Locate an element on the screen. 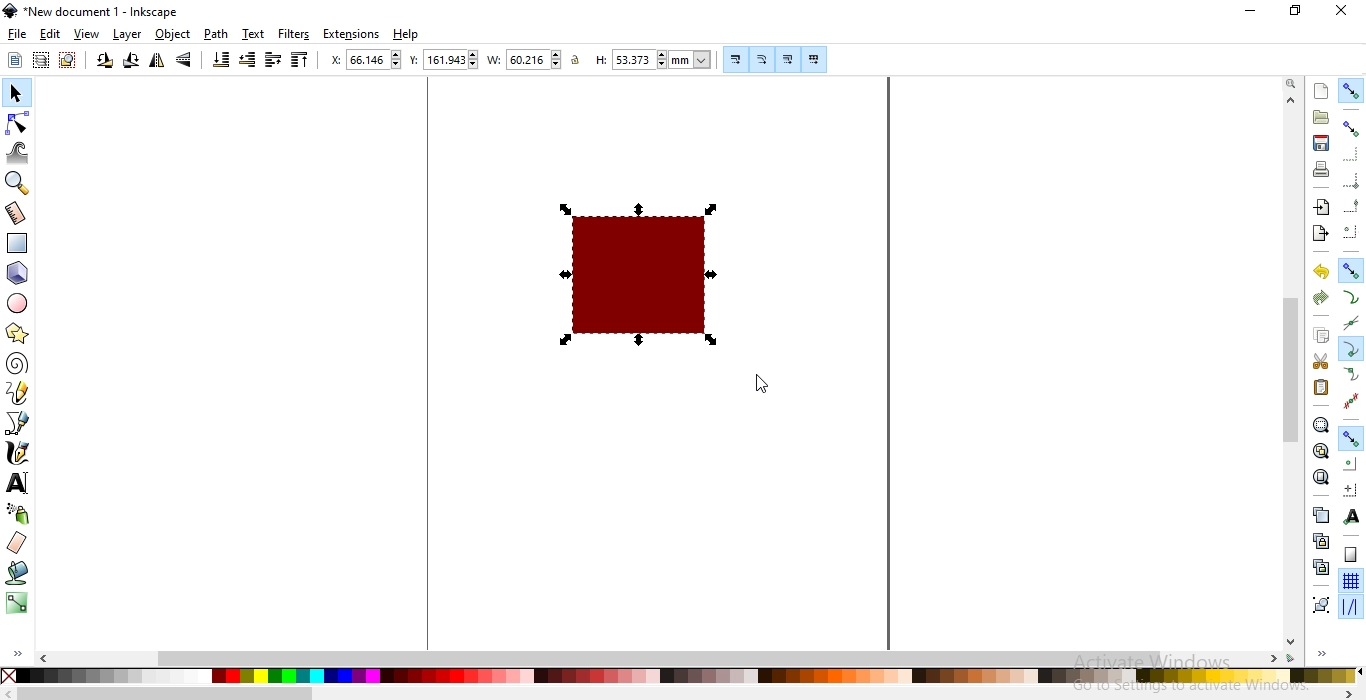  undo an action is located at coordinates (1322, 271).